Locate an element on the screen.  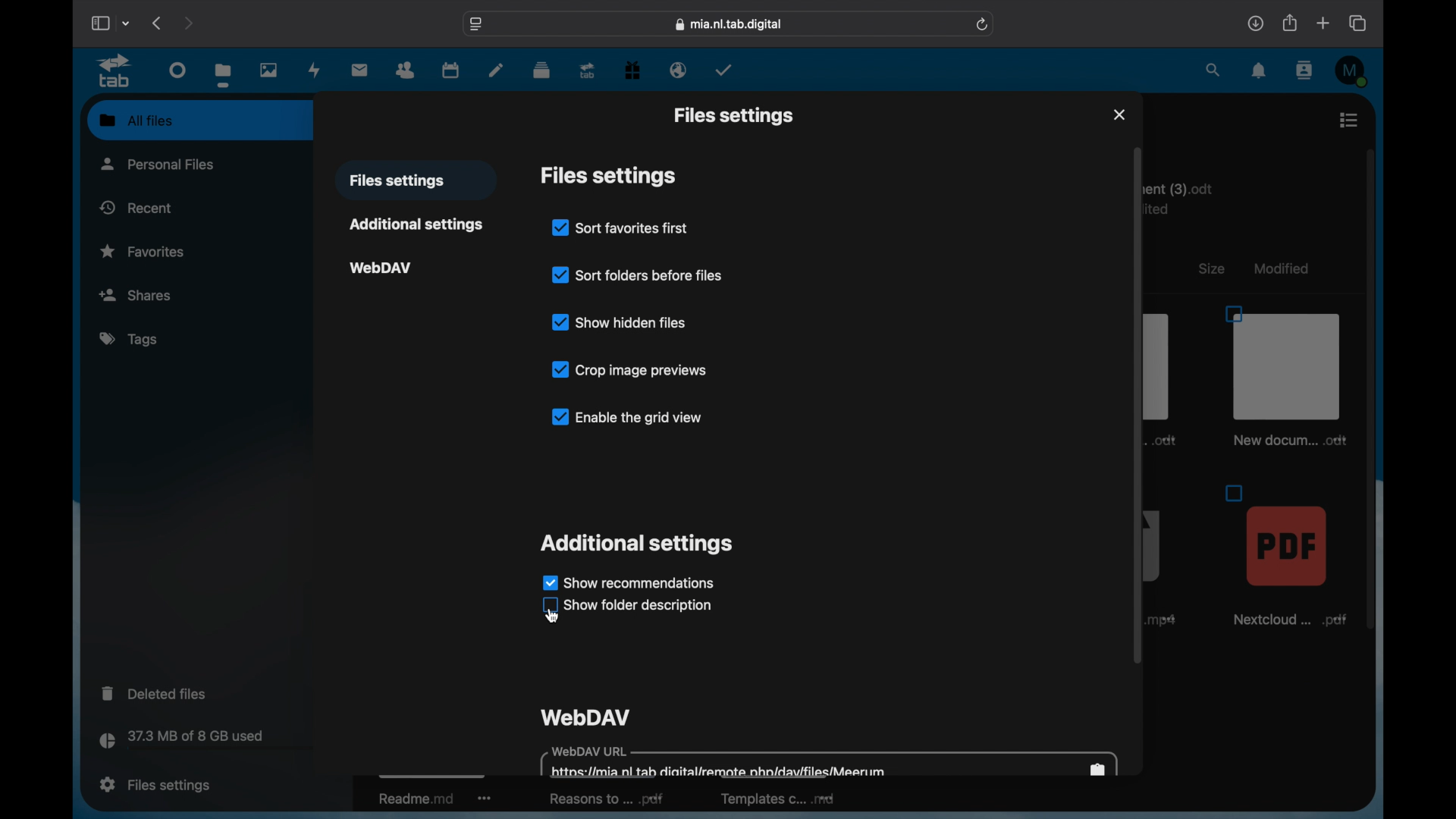
additional settings is located at coordinates (415, 224).